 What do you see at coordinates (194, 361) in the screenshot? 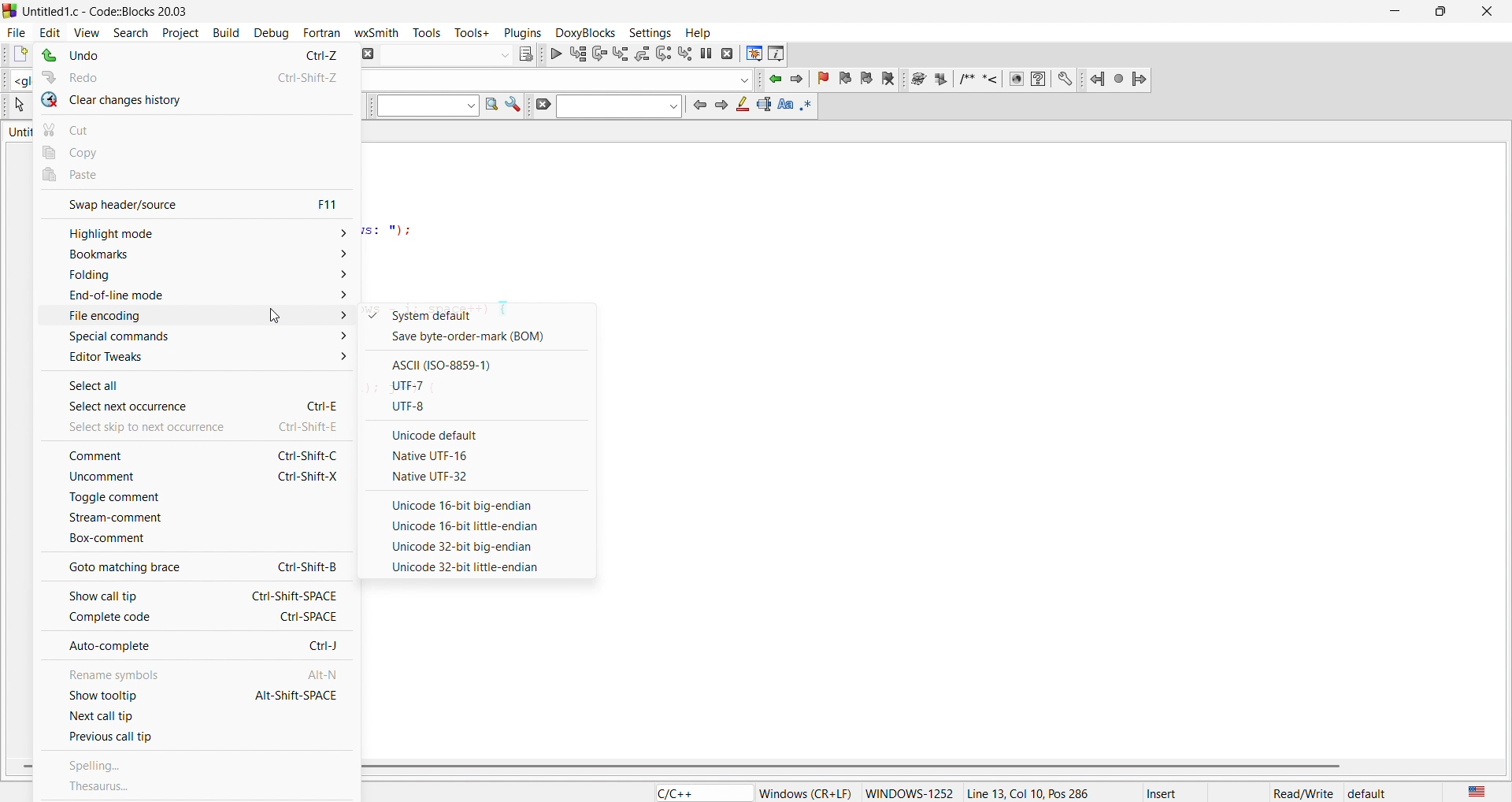
I see `editor tweaks` at bounding box center [194, 361].